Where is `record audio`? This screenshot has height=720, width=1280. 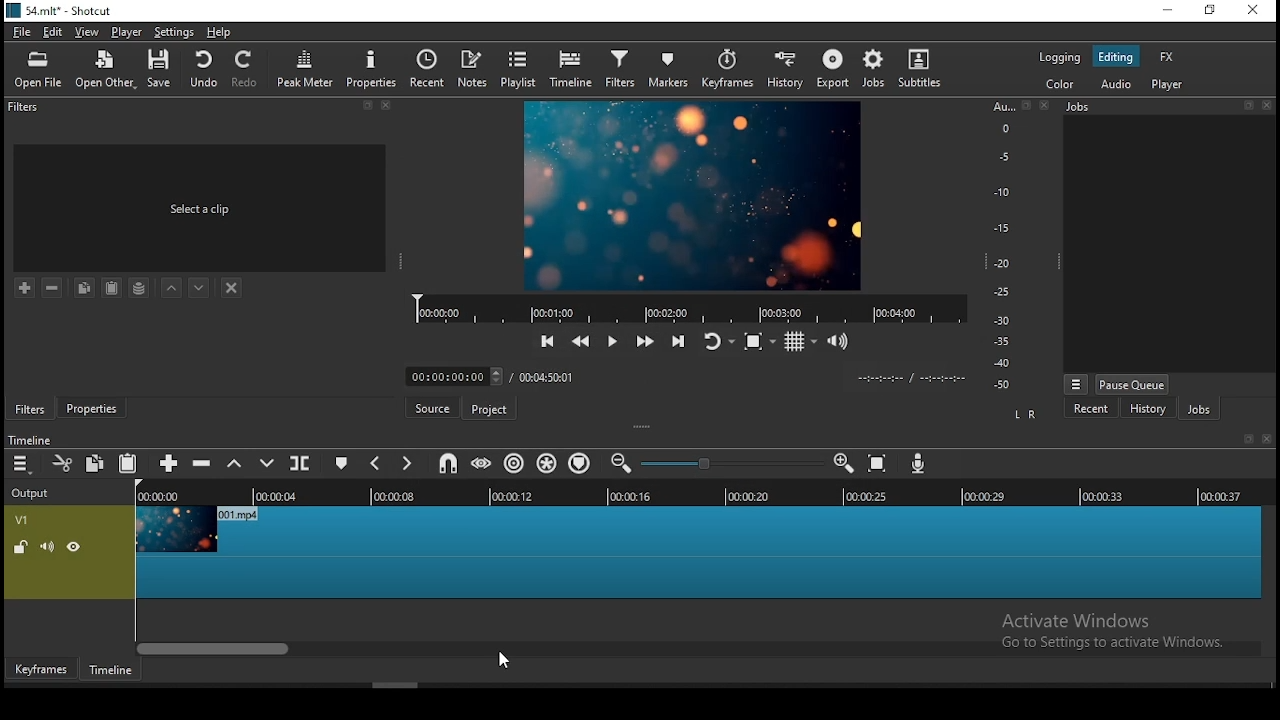 record audio is located at coordinates (919, 463).